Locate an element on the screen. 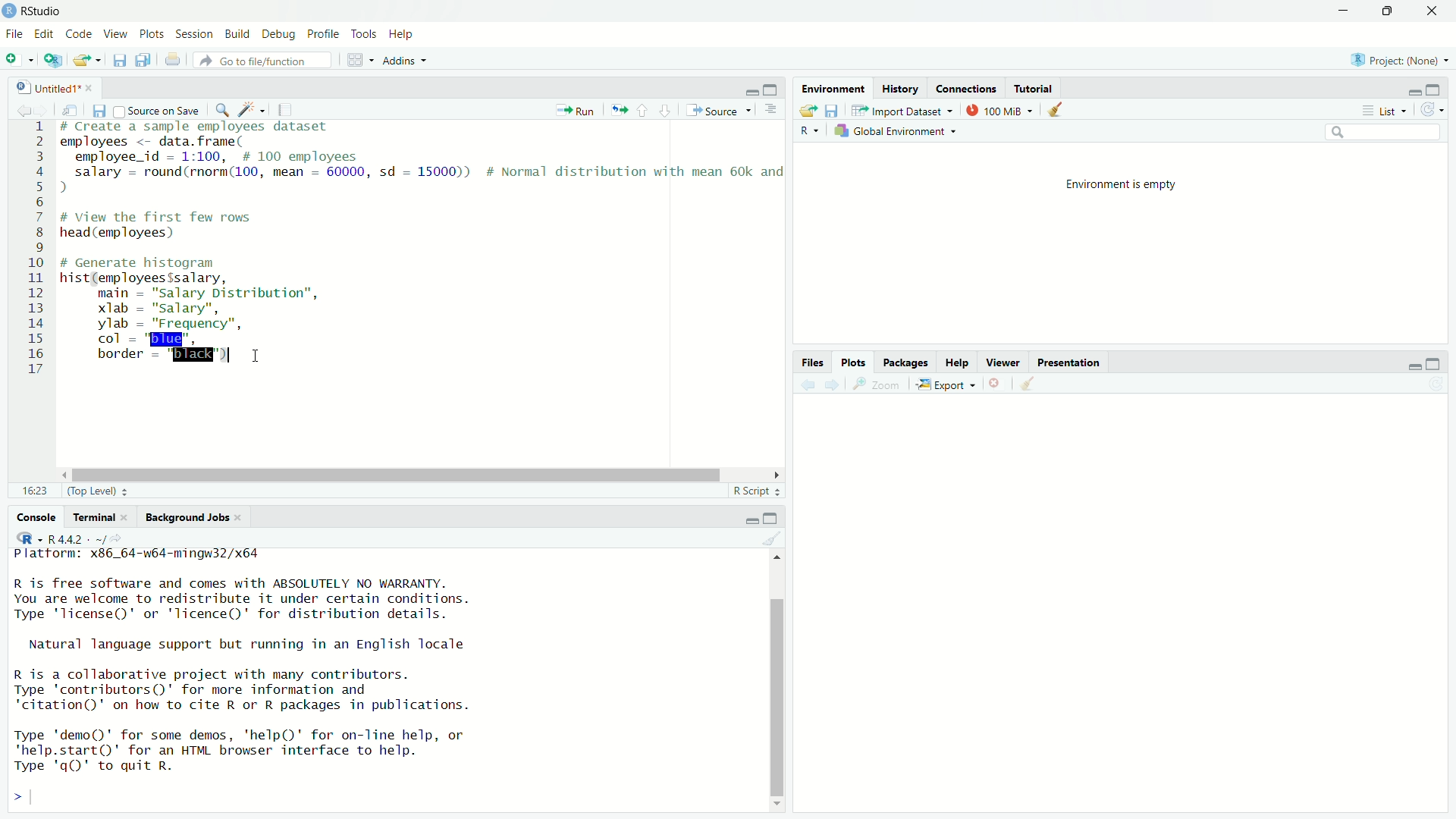 Image resolution: width=1456 pixels, height=819 pixels. Scroll bar is located at coordinates (778, 680).